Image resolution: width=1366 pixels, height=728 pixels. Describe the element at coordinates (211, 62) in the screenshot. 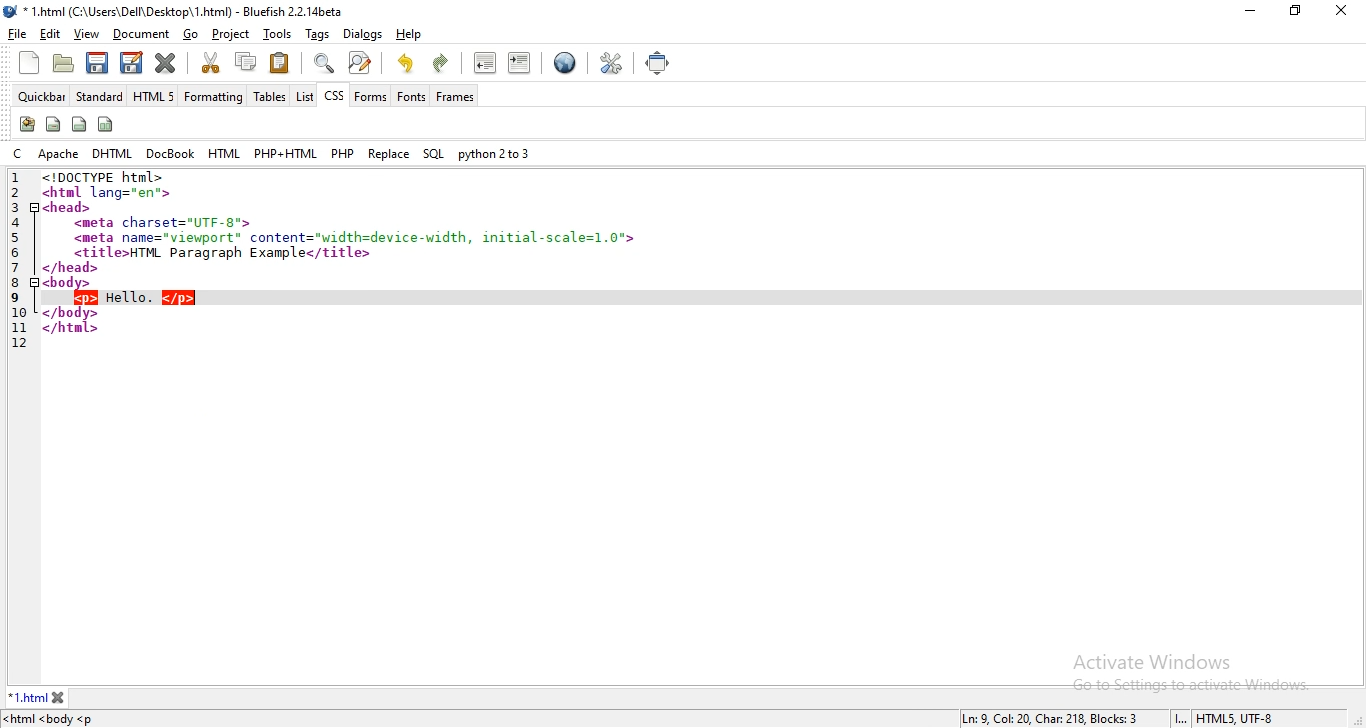

I see `cut` at that location.